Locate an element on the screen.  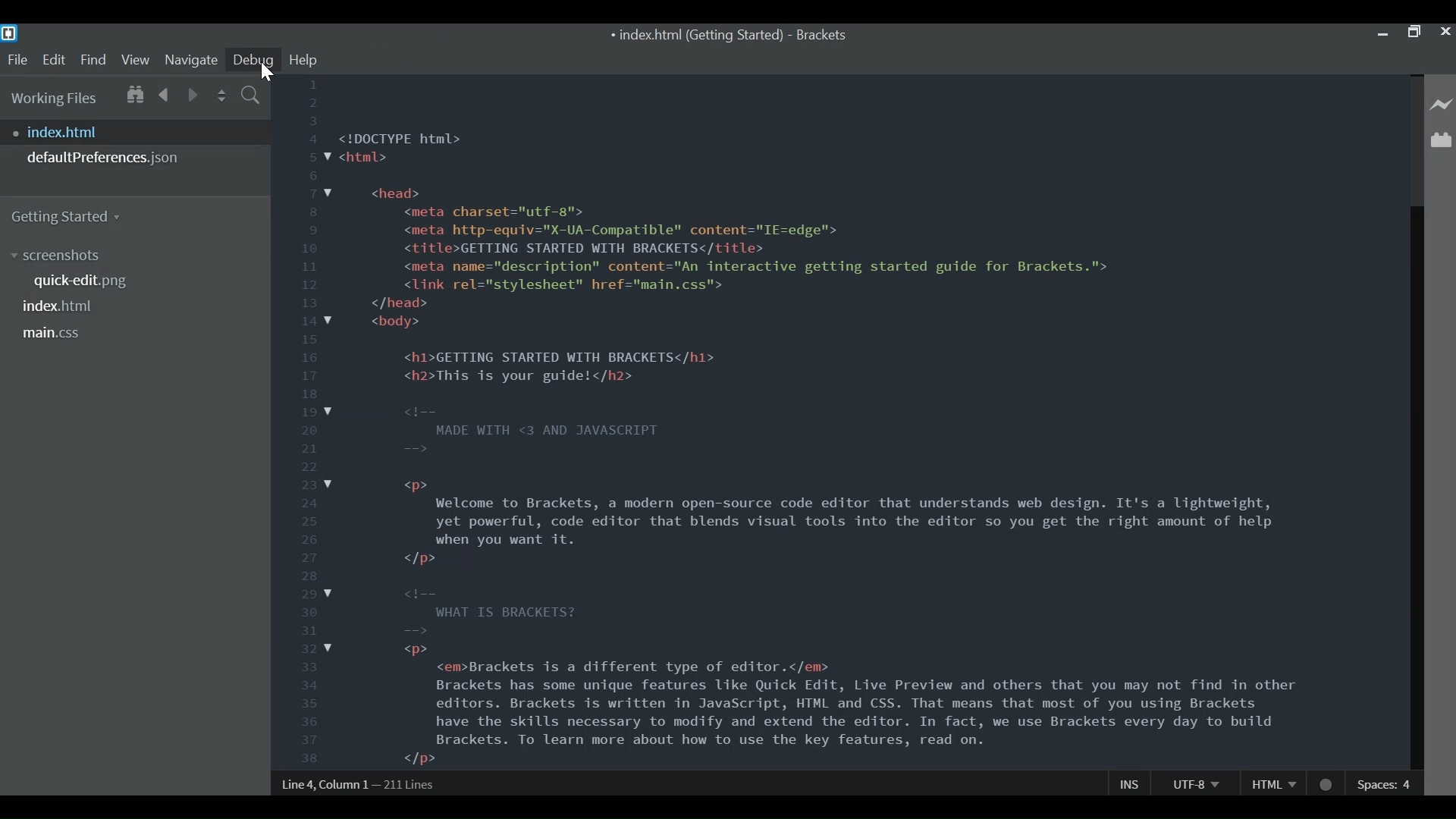
Navigate Forward is located at coordinates (193, 93).